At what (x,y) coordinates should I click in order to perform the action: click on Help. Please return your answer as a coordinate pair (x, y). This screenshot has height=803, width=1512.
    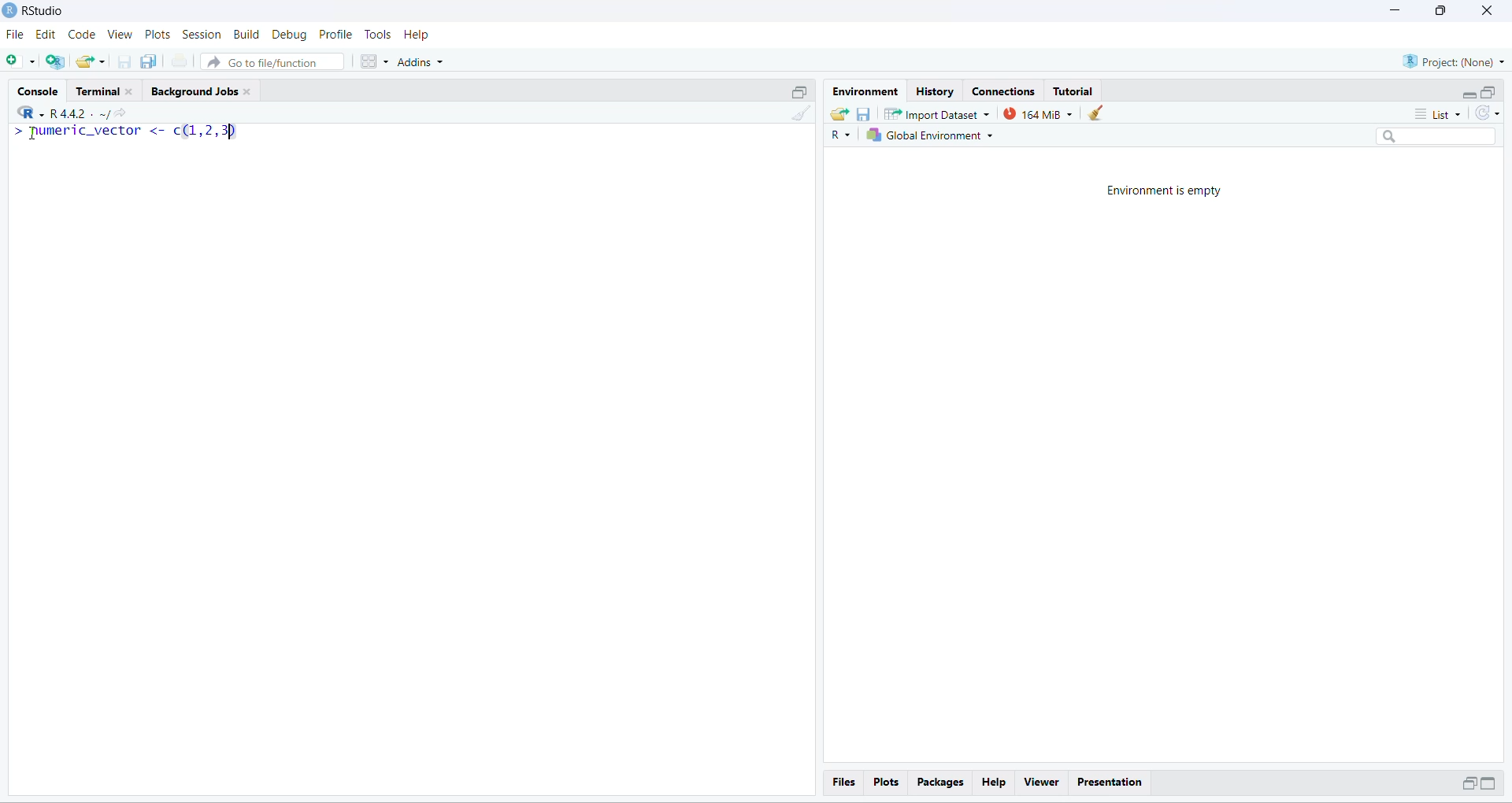
    Looking at the image, I should click on (418, 35).